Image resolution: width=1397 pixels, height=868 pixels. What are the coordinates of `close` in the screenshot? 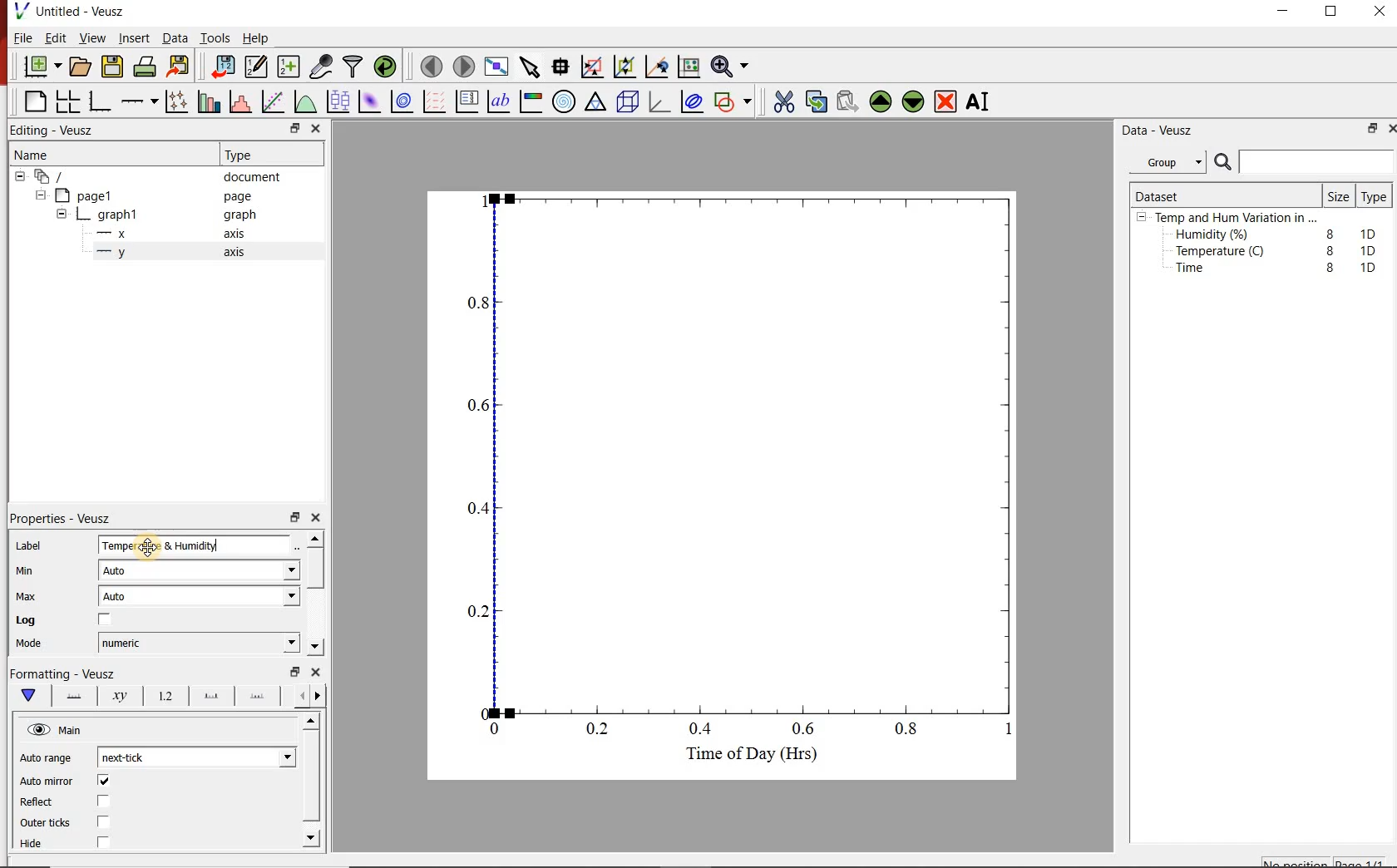 It's located at (321, 518).